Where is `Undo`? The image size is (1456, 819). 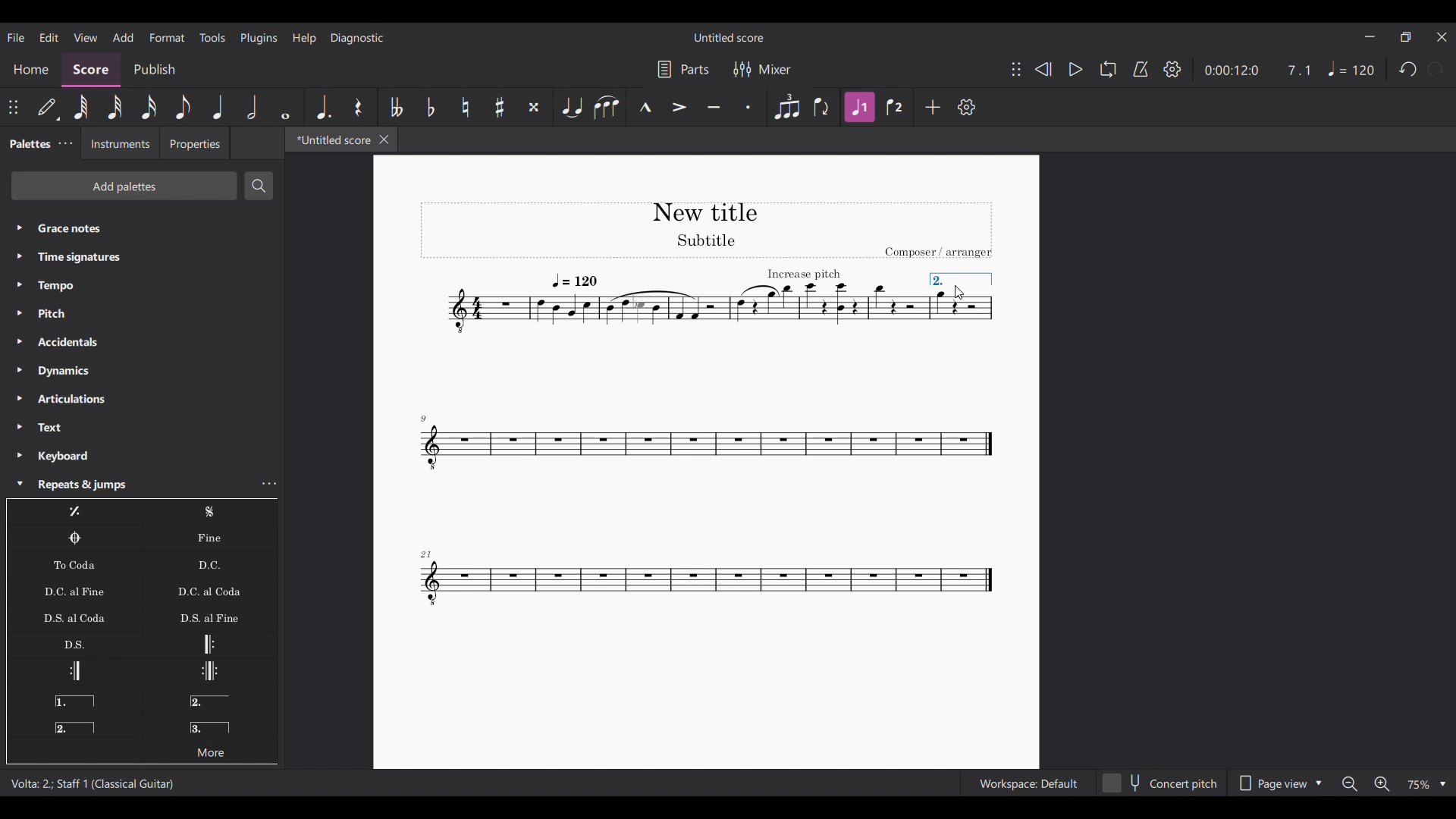
Undo is located at coordinates (1409, 69).